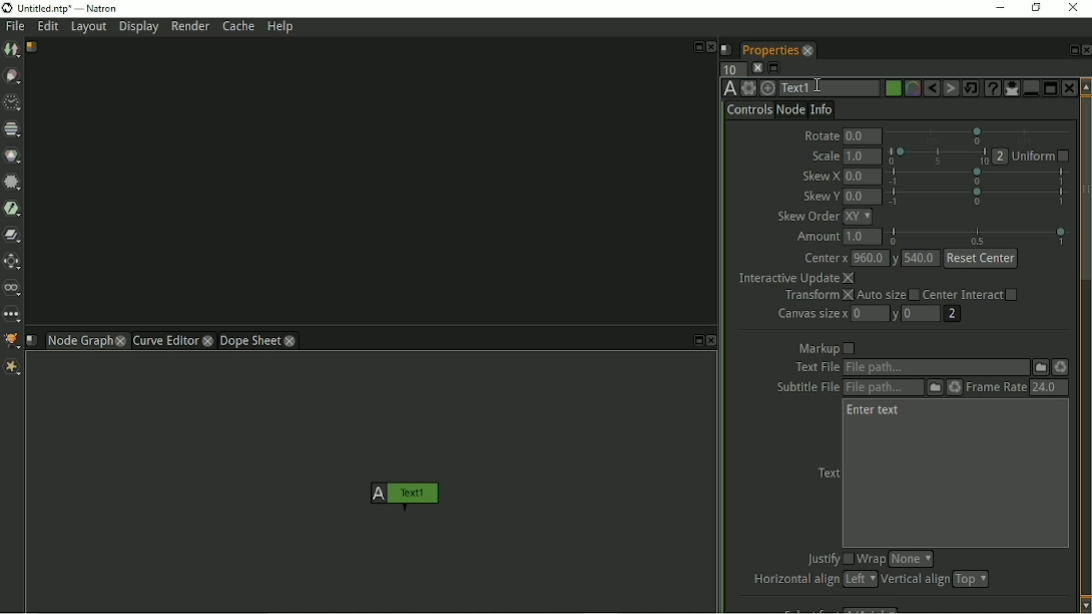  I want to click on Enter text, so click(874, 411).